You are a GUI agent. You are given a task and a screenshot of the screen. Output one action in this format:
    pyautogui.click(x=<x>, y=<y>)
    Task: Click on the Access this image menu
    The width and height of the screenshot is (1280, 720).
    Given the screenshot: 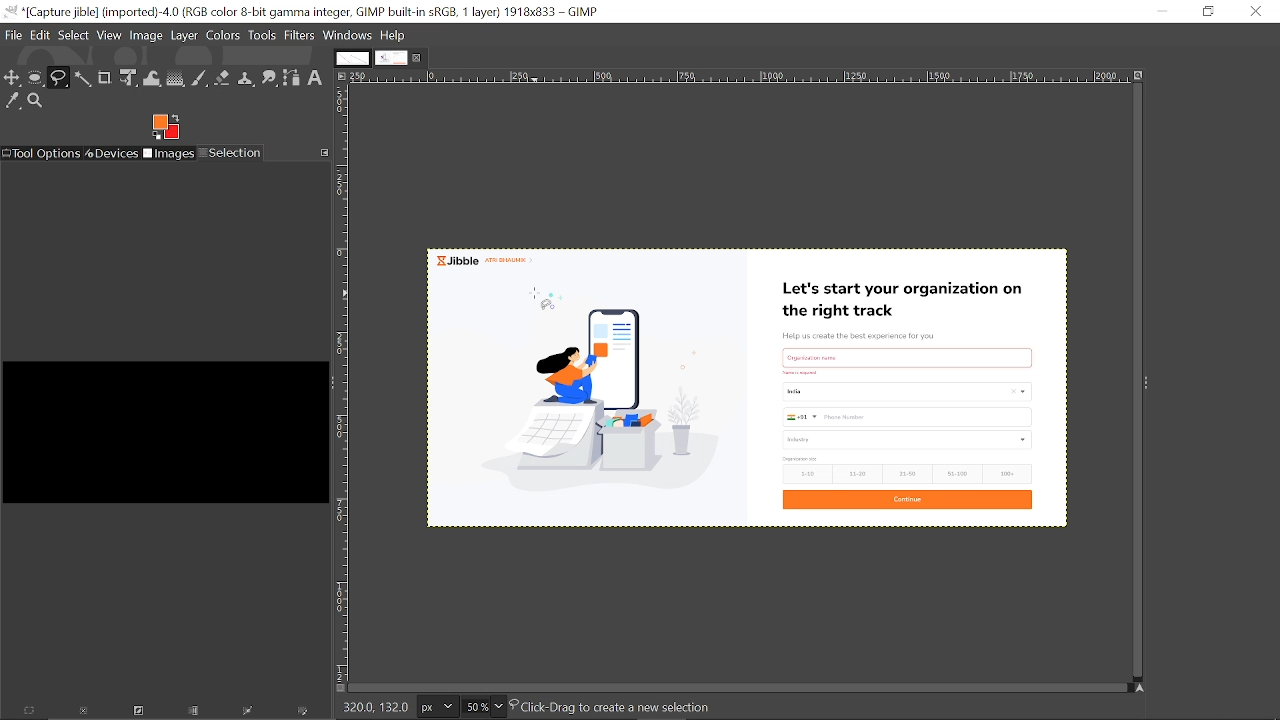 What is the action you would take?
    pyautogui.click(x=342, y=77)
    